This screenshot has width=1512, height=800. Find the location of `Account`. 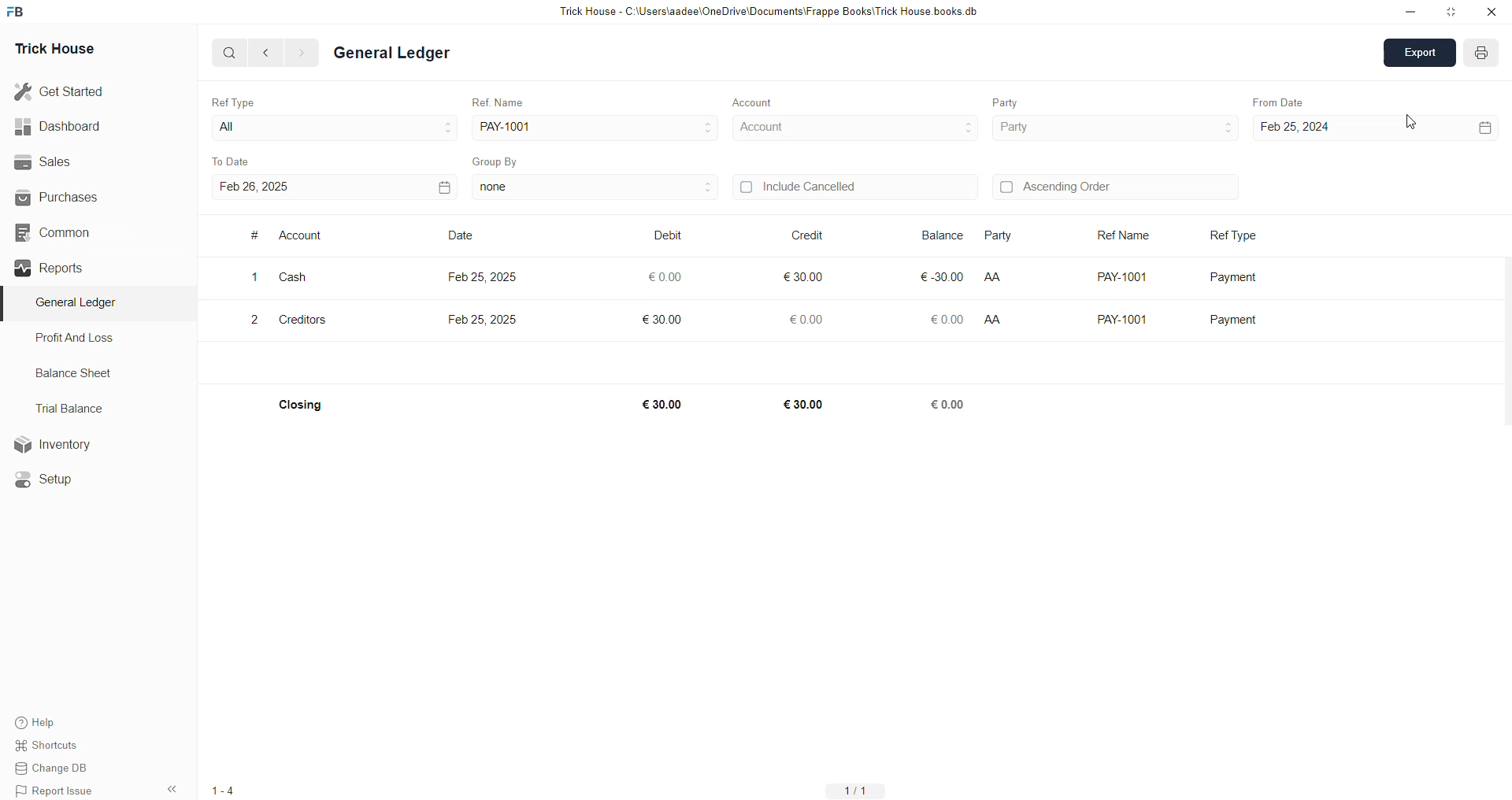

Account is located at coordinates (766, 127).